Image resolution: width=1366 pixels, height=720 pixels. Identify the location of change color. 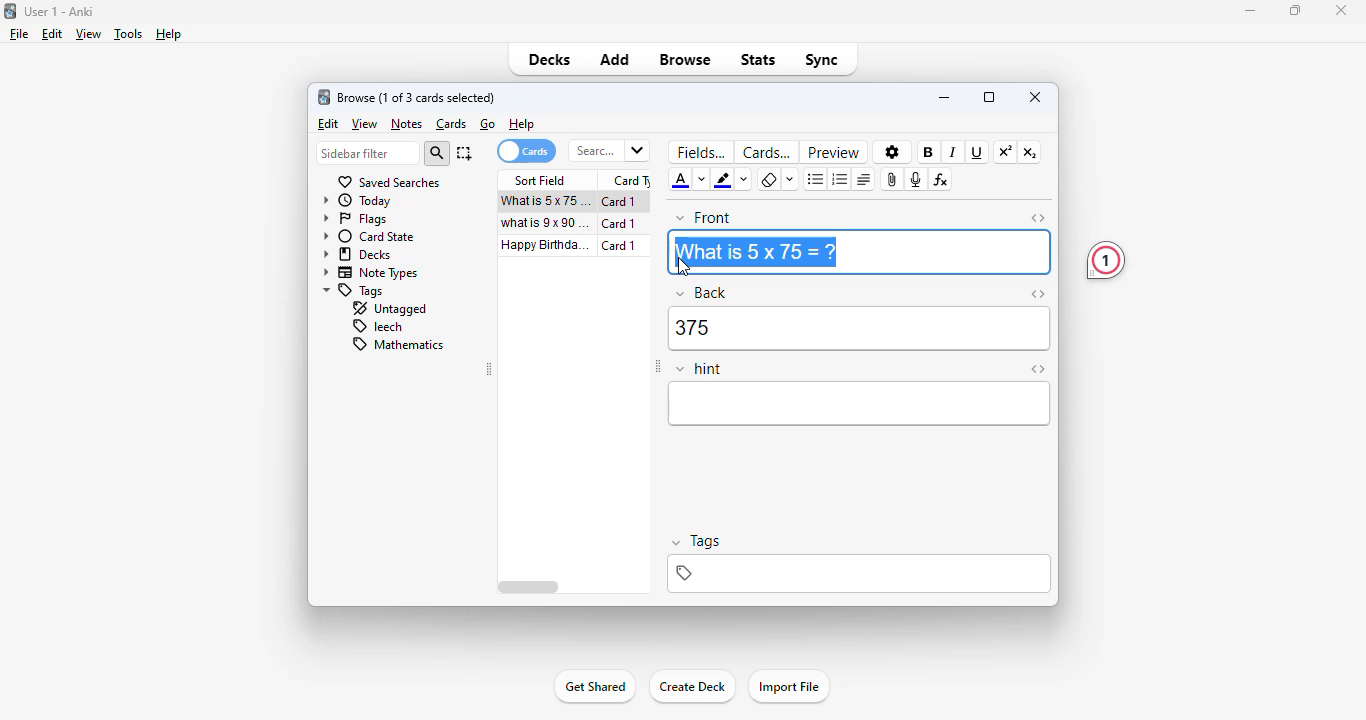
(744, 181).